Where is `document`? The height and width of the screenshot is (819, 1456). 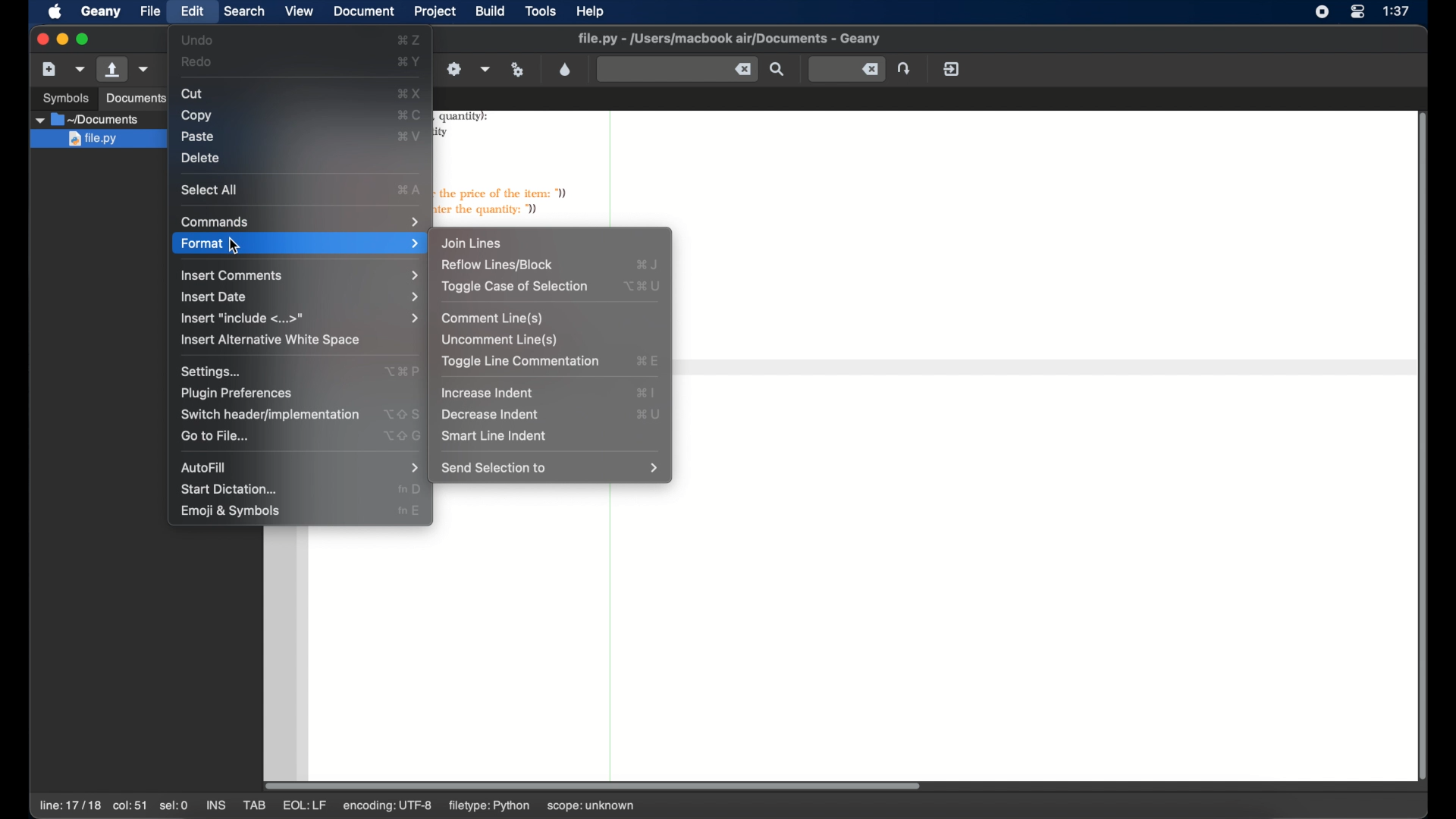
document is located at coordinates (365, 11).